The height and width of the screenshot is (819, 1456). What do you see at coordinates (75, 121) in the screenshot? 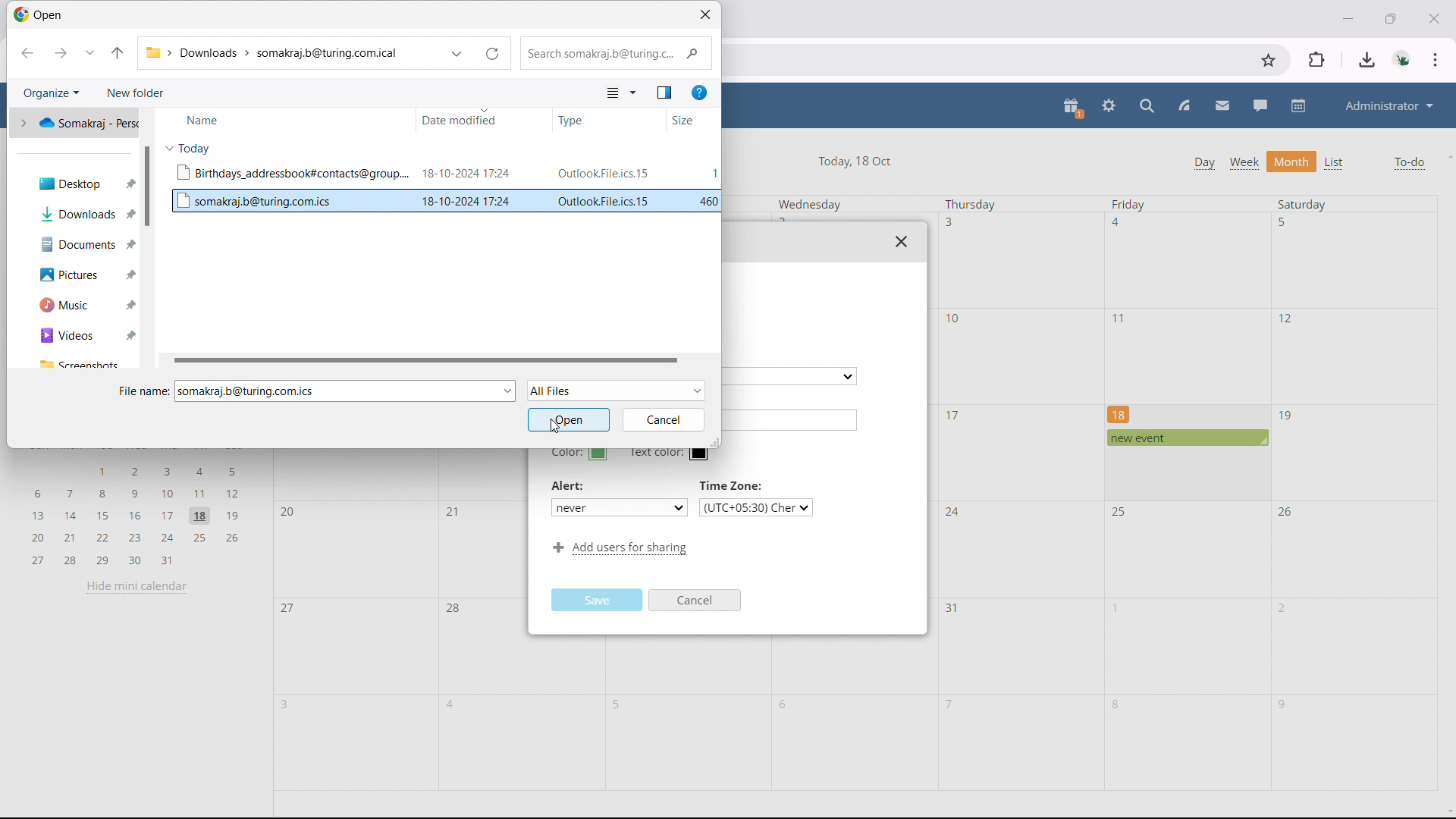
I see `> @ Somakraj - Pers` at bounding box center [75, 121].